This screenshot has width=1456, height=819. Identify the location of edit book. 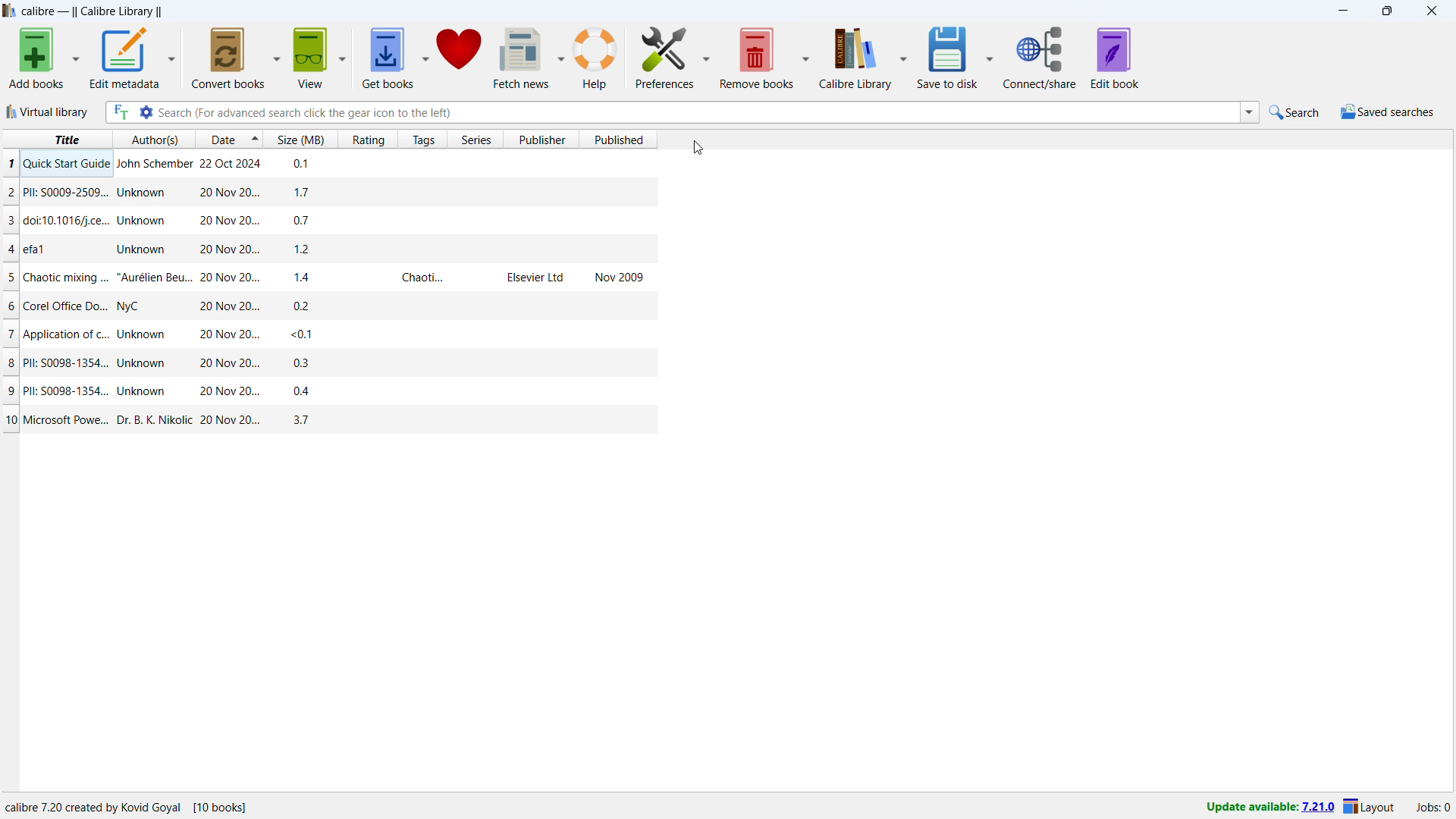
(1114, 58).